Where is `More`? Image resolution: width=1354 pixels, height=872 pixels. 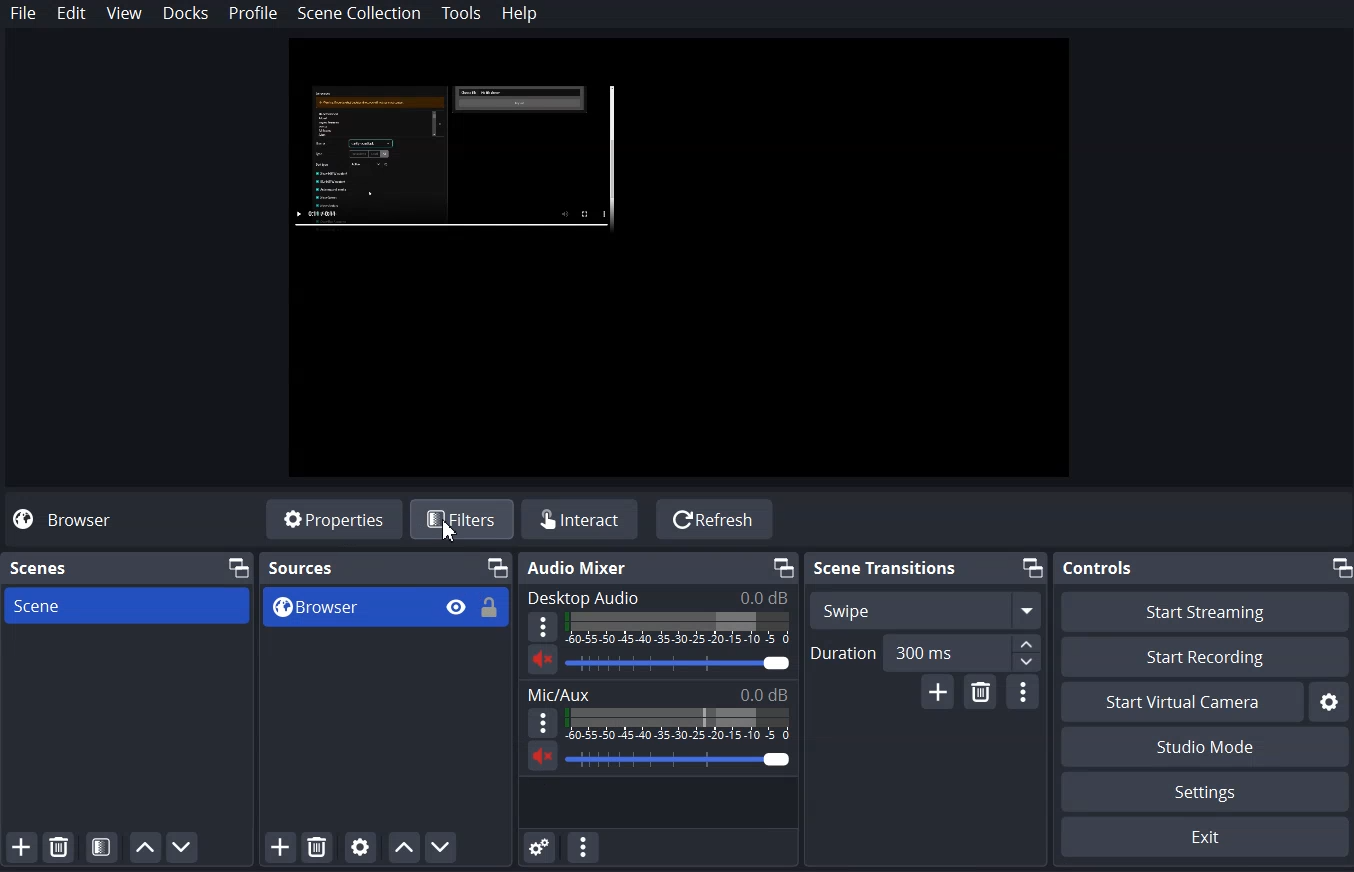 More is located at coordinates (543, 722).